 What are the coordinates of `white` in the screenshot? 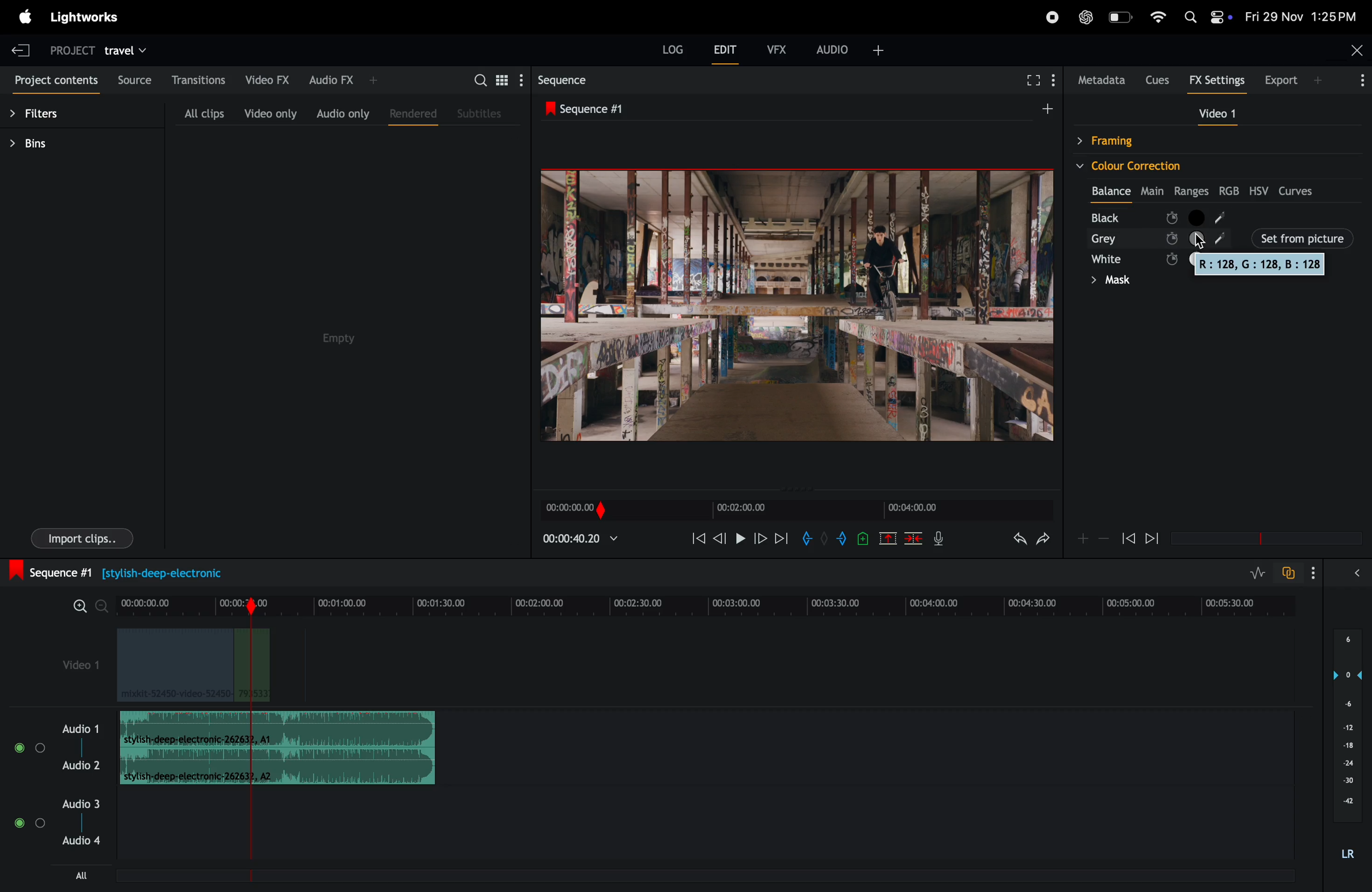 It's located at (1109, 259).